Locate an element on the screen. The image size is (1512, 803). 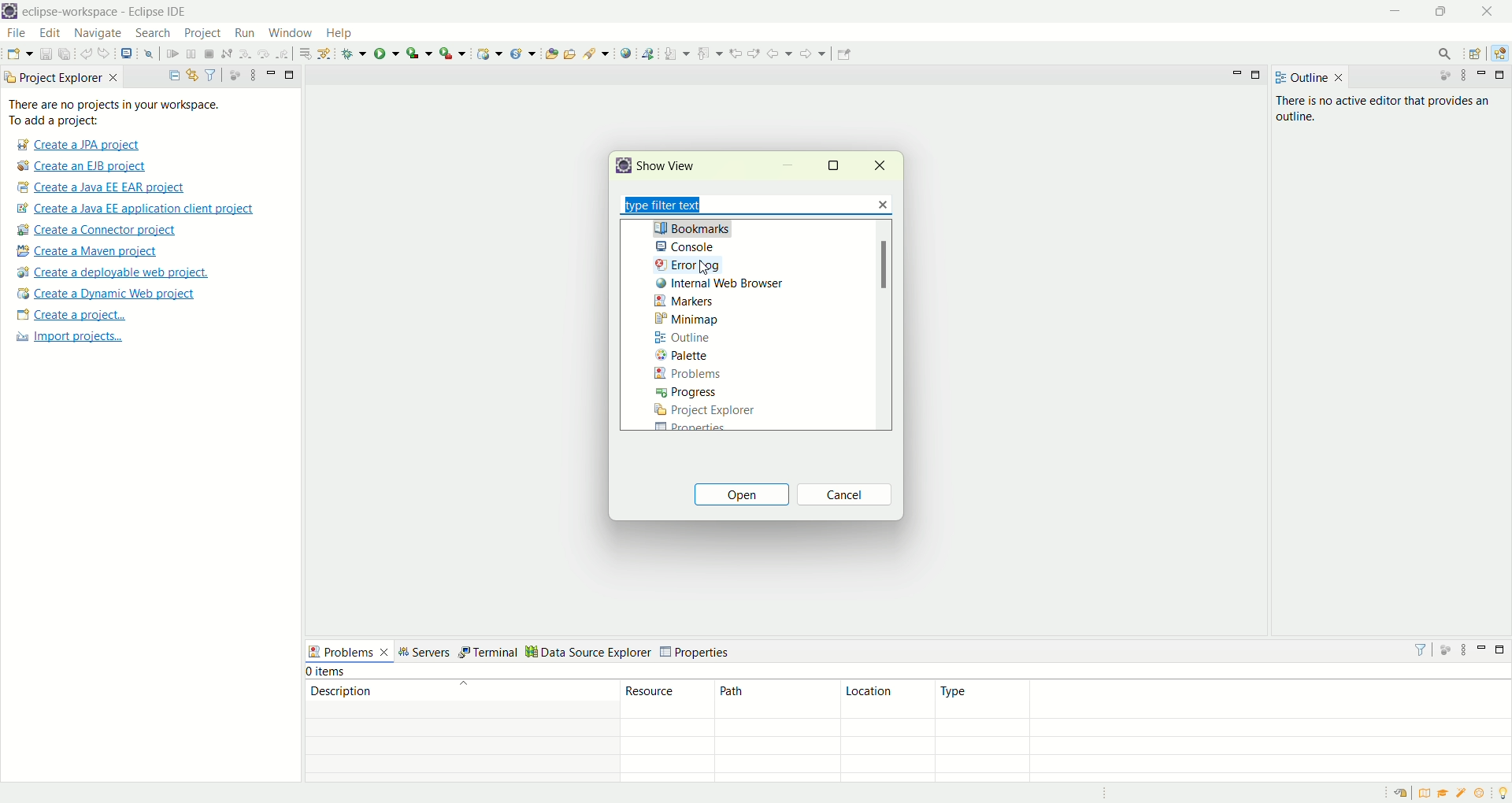
overview is located at coordinates (1422, 794).